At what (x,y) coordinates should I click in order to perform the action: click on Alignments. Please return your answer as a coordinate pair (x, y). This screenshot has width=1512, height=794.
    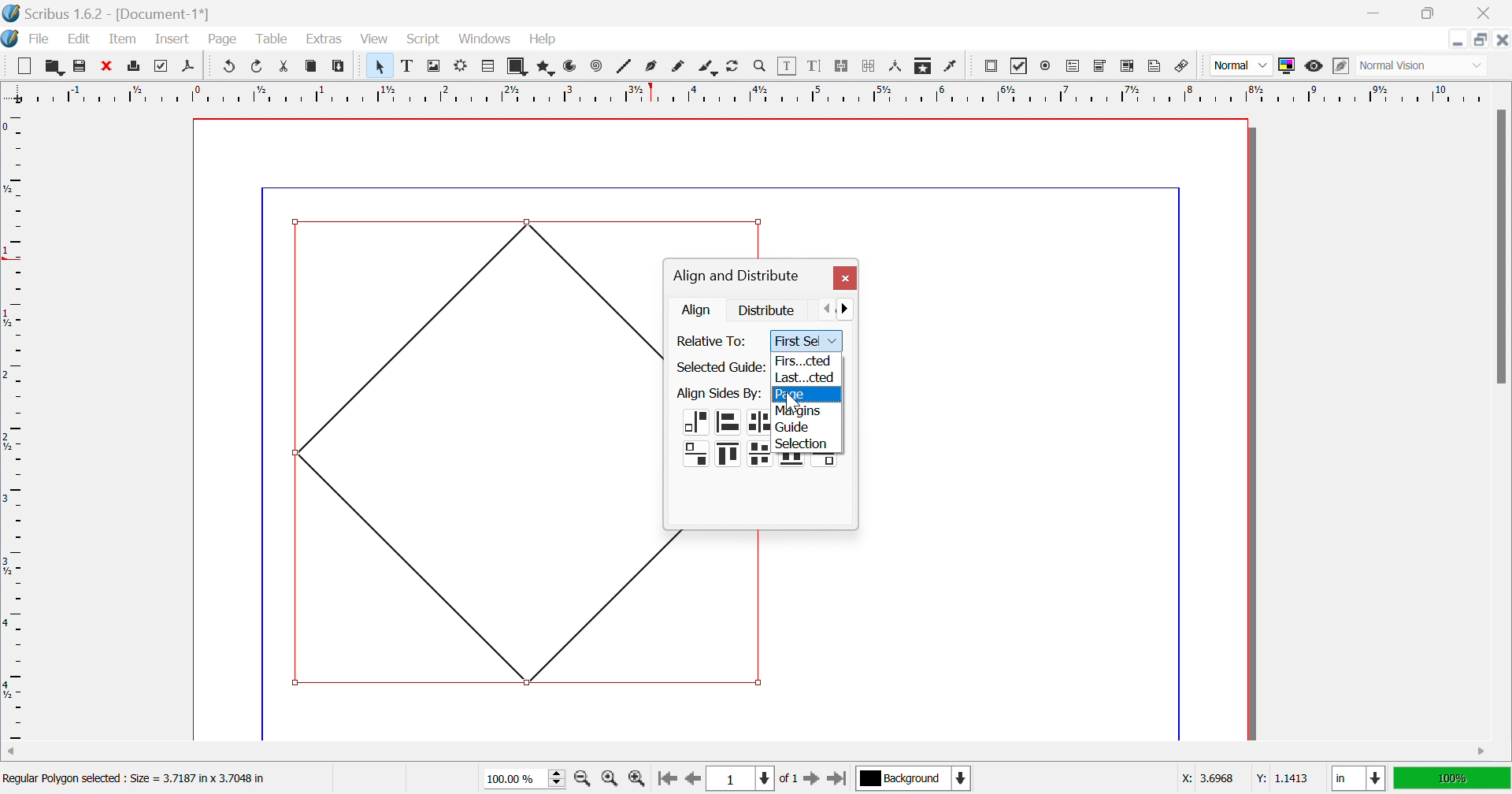
    Looking at the image, I should click on (722, 441).